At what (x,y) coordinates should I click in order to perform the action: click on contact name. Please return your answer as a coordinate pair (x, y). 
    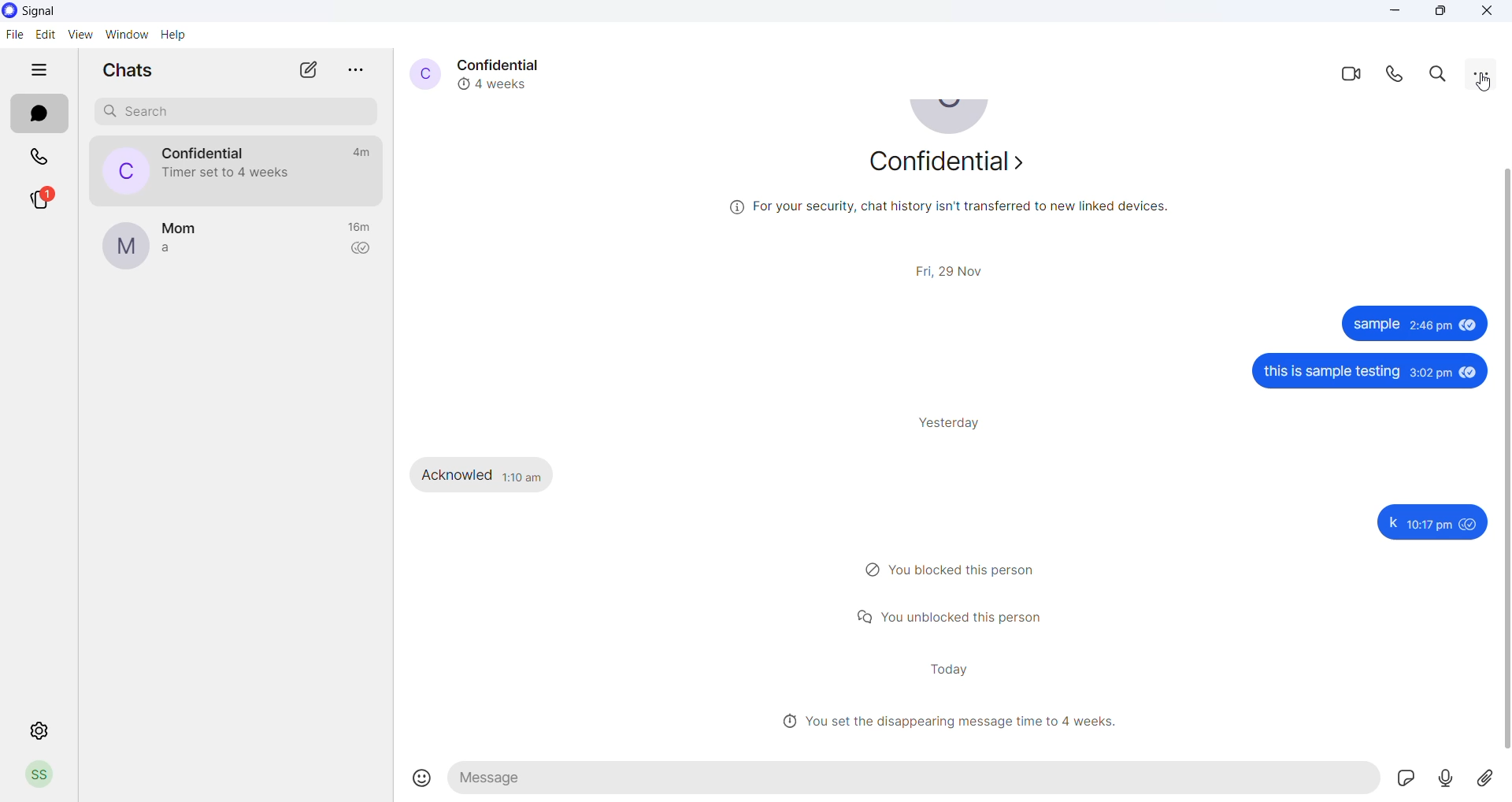
    Looking at the image, I should click on (209, 150).